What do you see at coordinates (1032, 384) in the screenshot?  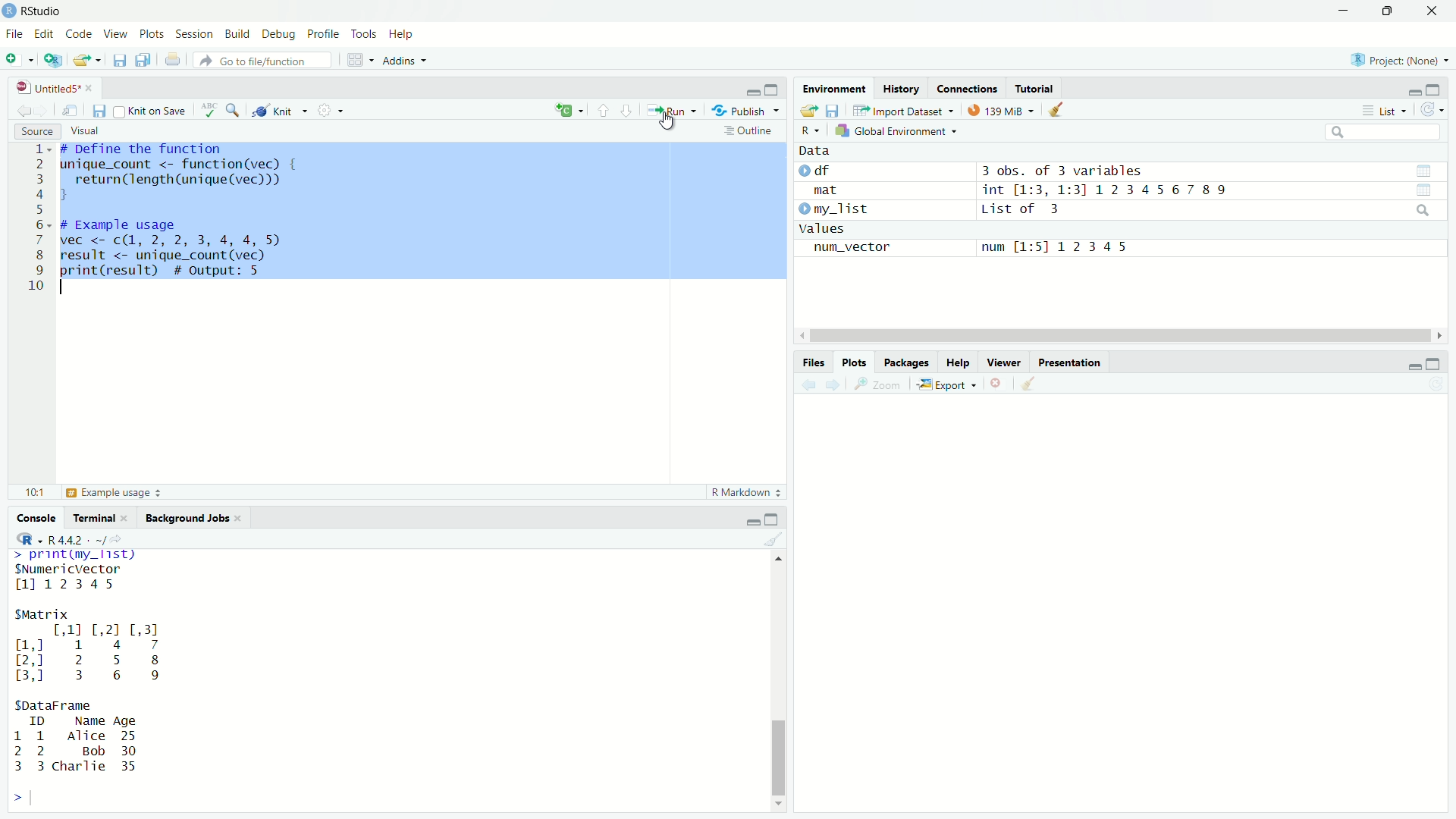 I see `clear all plots` at bounding box center [1032, 384].